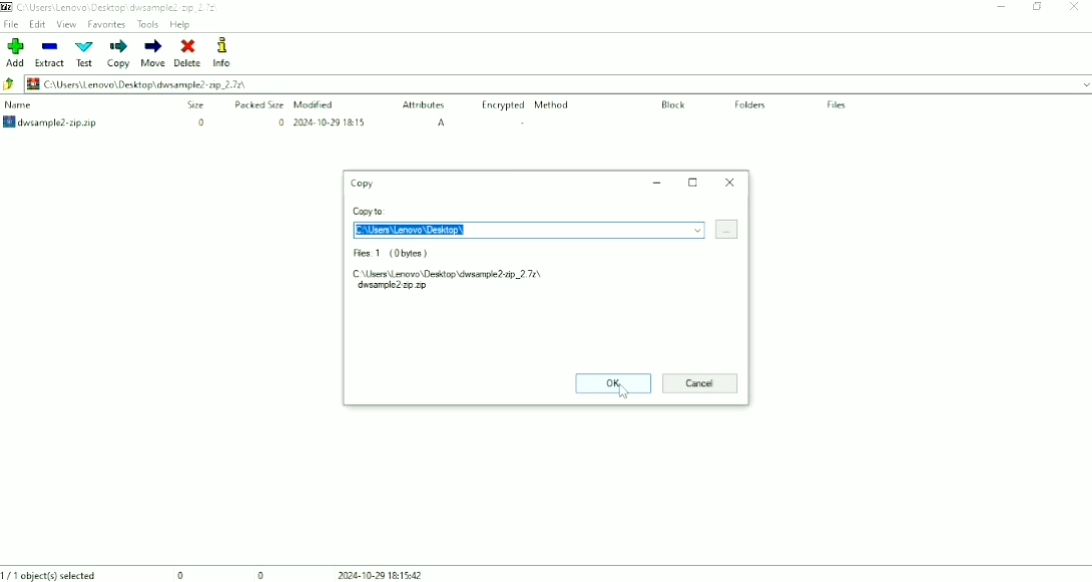 This screenshot has width=1092, height=582. What do you see at coordinates (51, 53) in the screenshot?
I see `Extract` at bounding box center [51, 53].